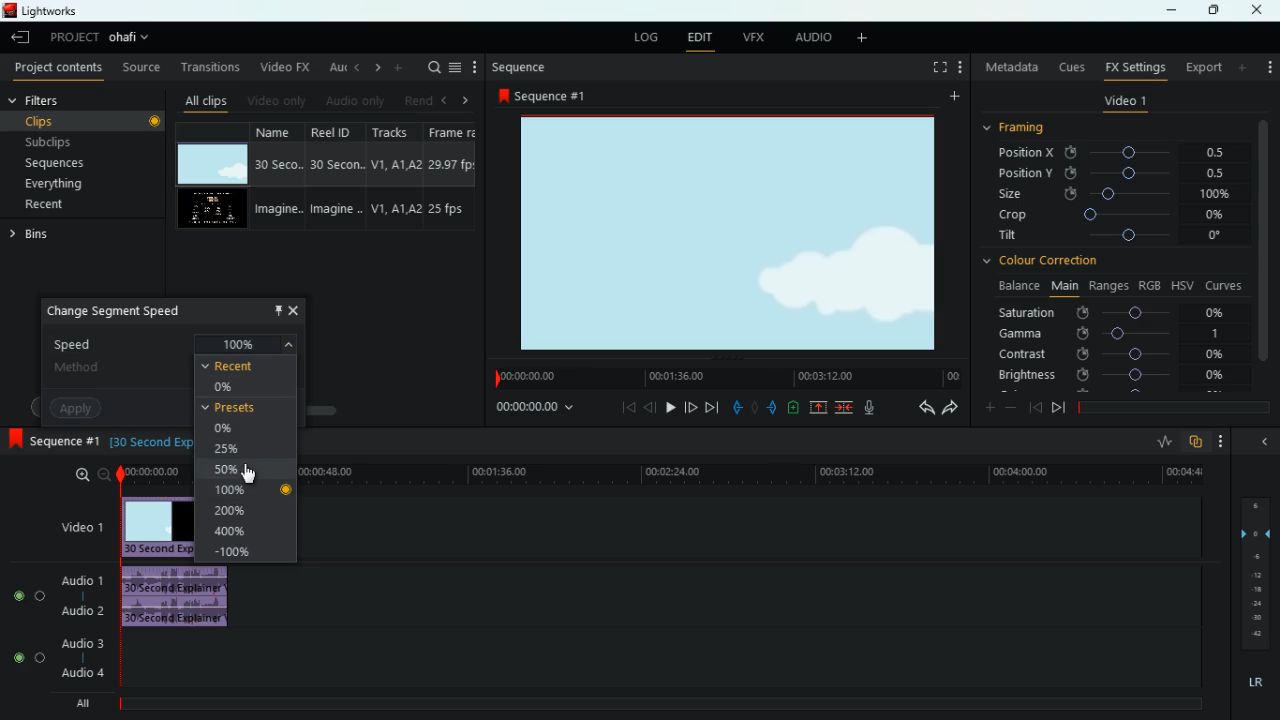 This screenshot has width=1280, height=720. What do you see at coordinates (1110, 374) in the screenshot?
I see `brightness` at bounding box center [1110, 374].